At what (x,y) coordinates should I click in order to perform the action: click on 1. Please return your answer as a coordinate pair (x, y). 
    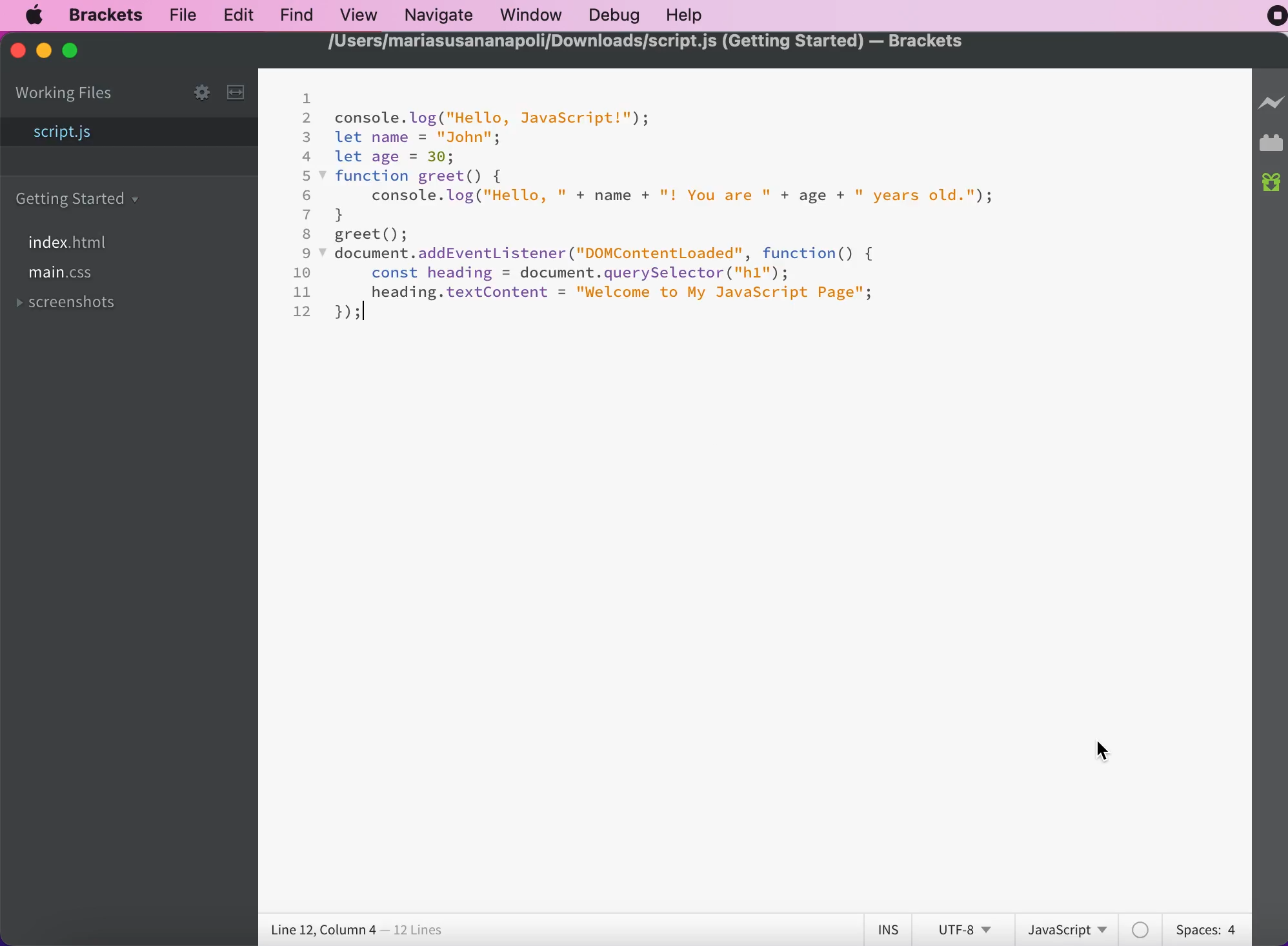
    Looking at the image, I should click on (306, 98).